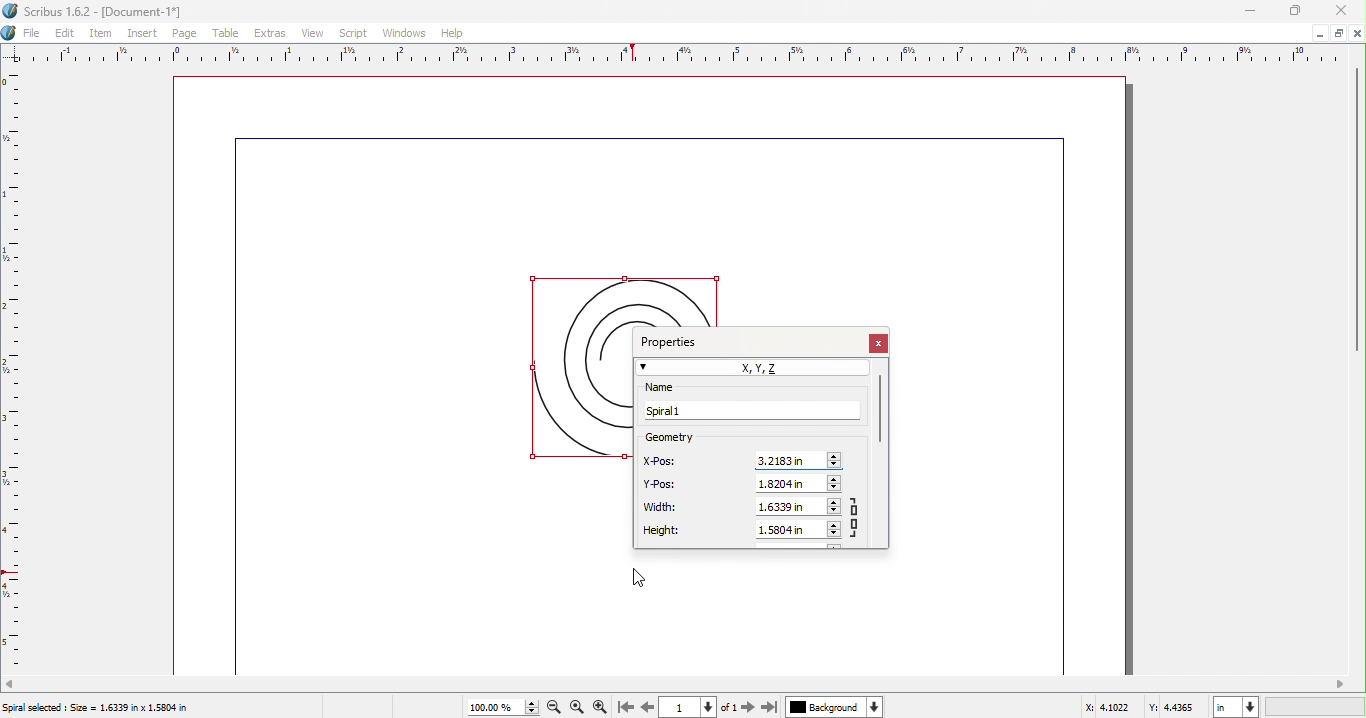 The height and width of the screenshot is (718, 1366). What do you see at coordinates (95, 707) in the screenshot?
I see `Status` at bounding box center [95, 707].